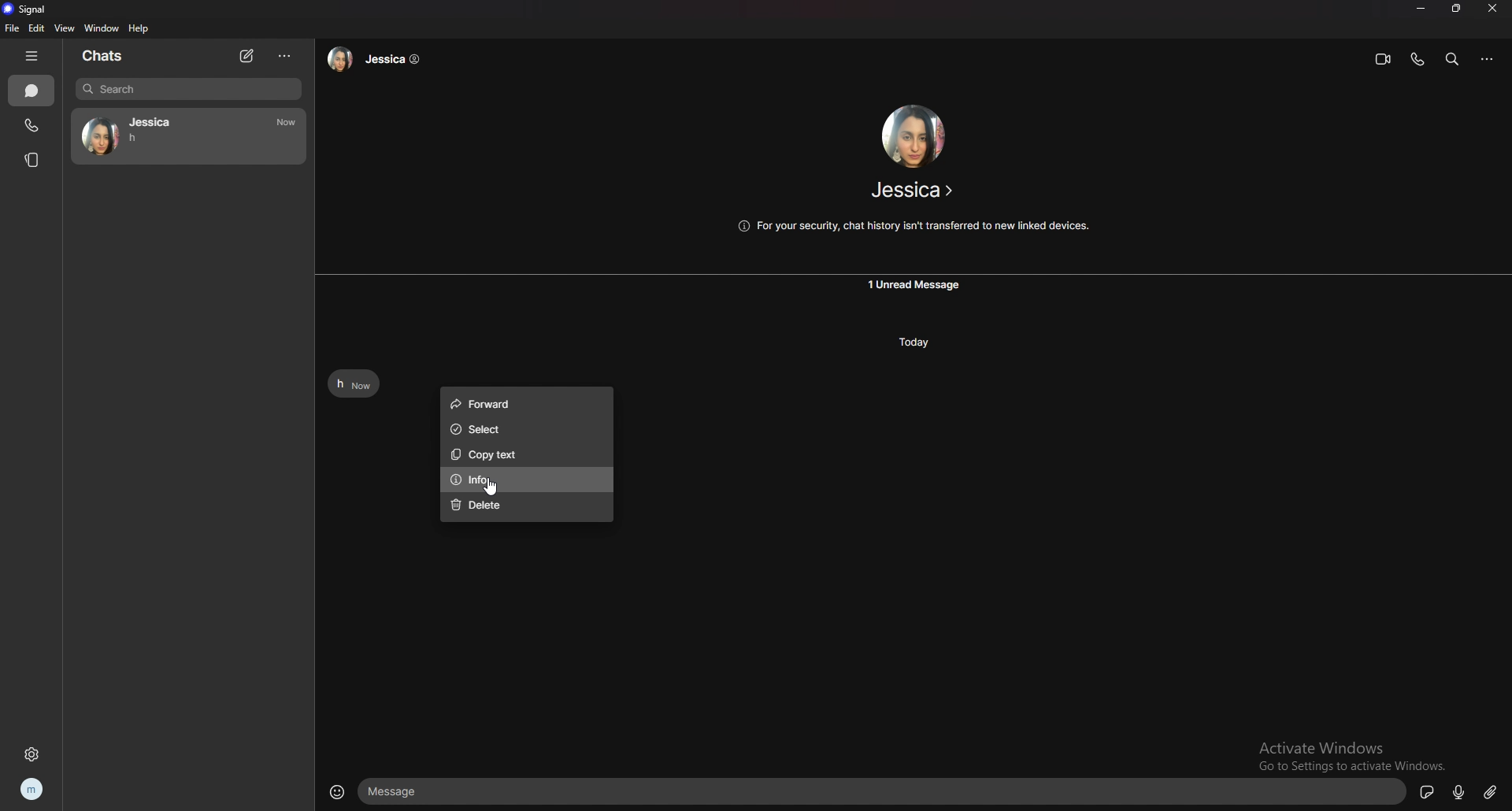 This screenshot has width=1512, height=811. I want to click on close, so click(1495, 10).